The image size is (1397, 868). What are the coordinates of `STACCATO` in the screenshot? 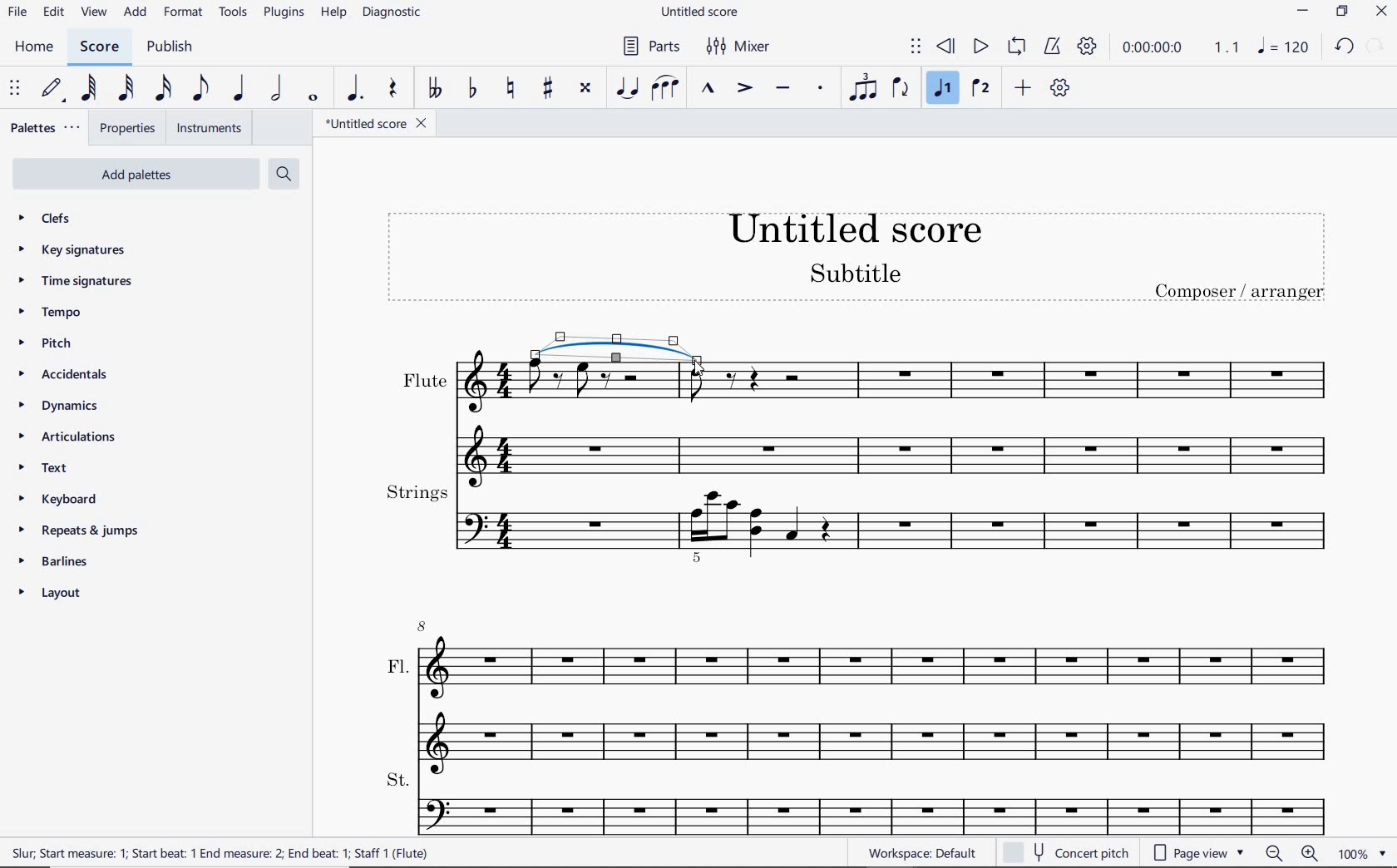 It's located at (821, 89).